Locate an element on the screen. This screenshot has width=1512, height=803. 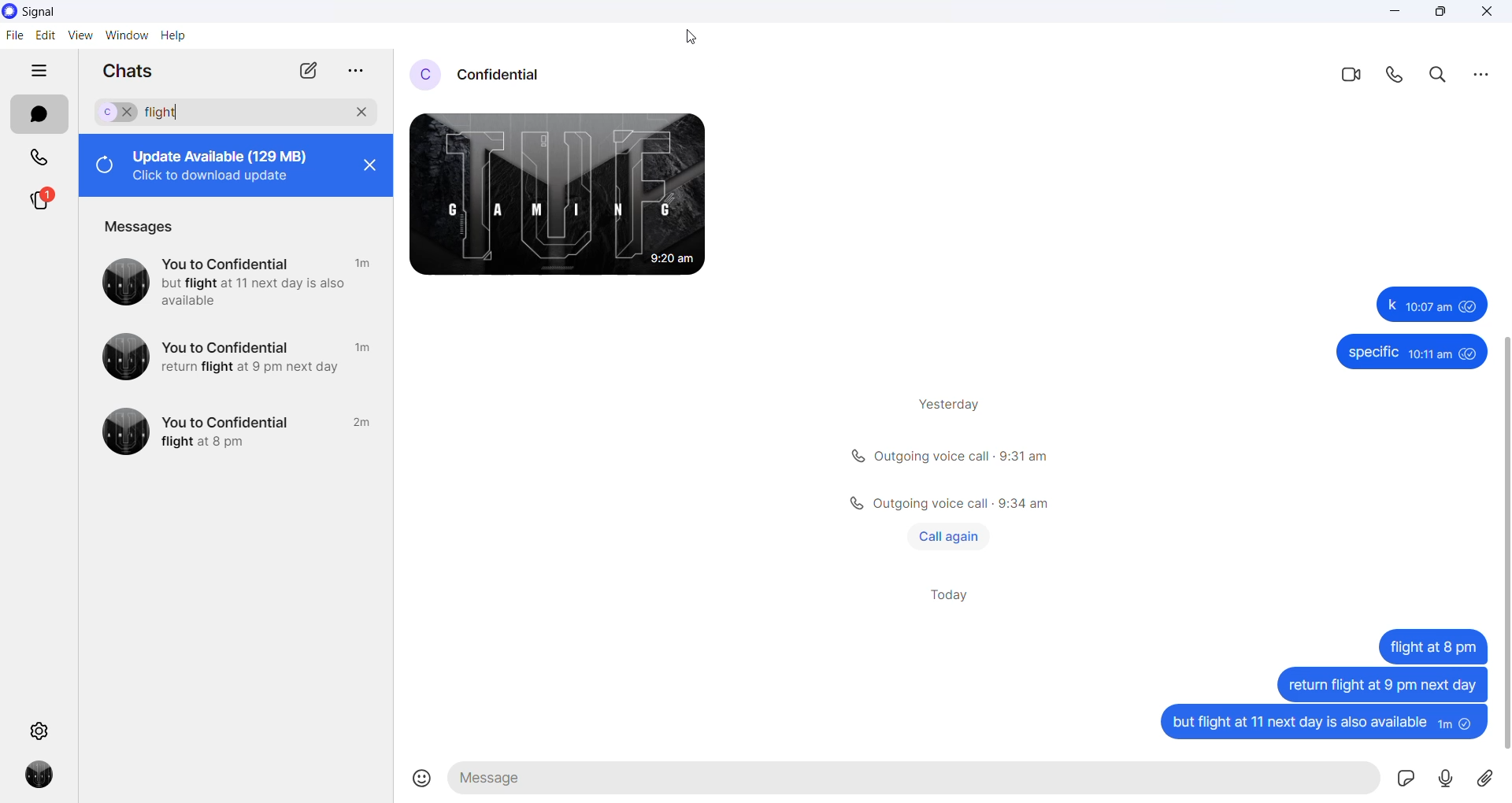
calls info is located at coordinates (951, 457).